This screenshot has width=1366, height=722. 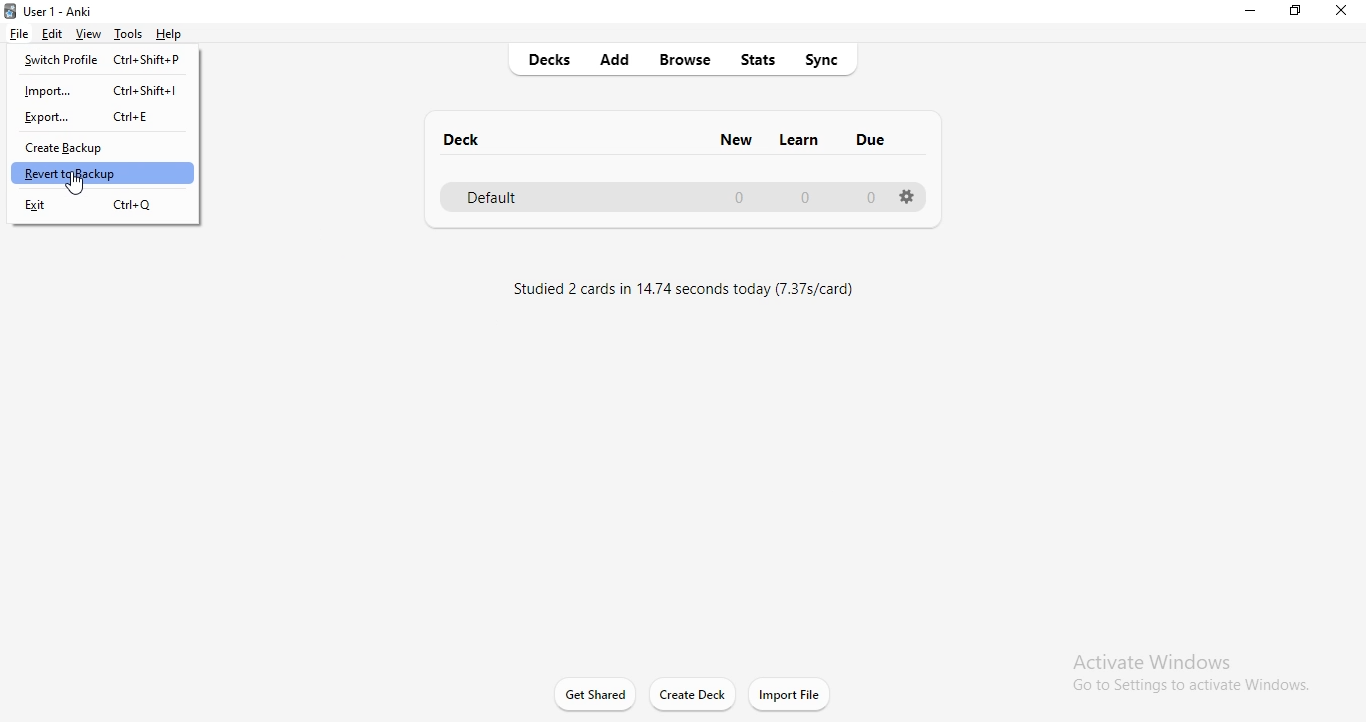 What do you see at coordinates (59, 8) in the screenshot?
I see `Anki logo and title` at bounding box center [59, 8].